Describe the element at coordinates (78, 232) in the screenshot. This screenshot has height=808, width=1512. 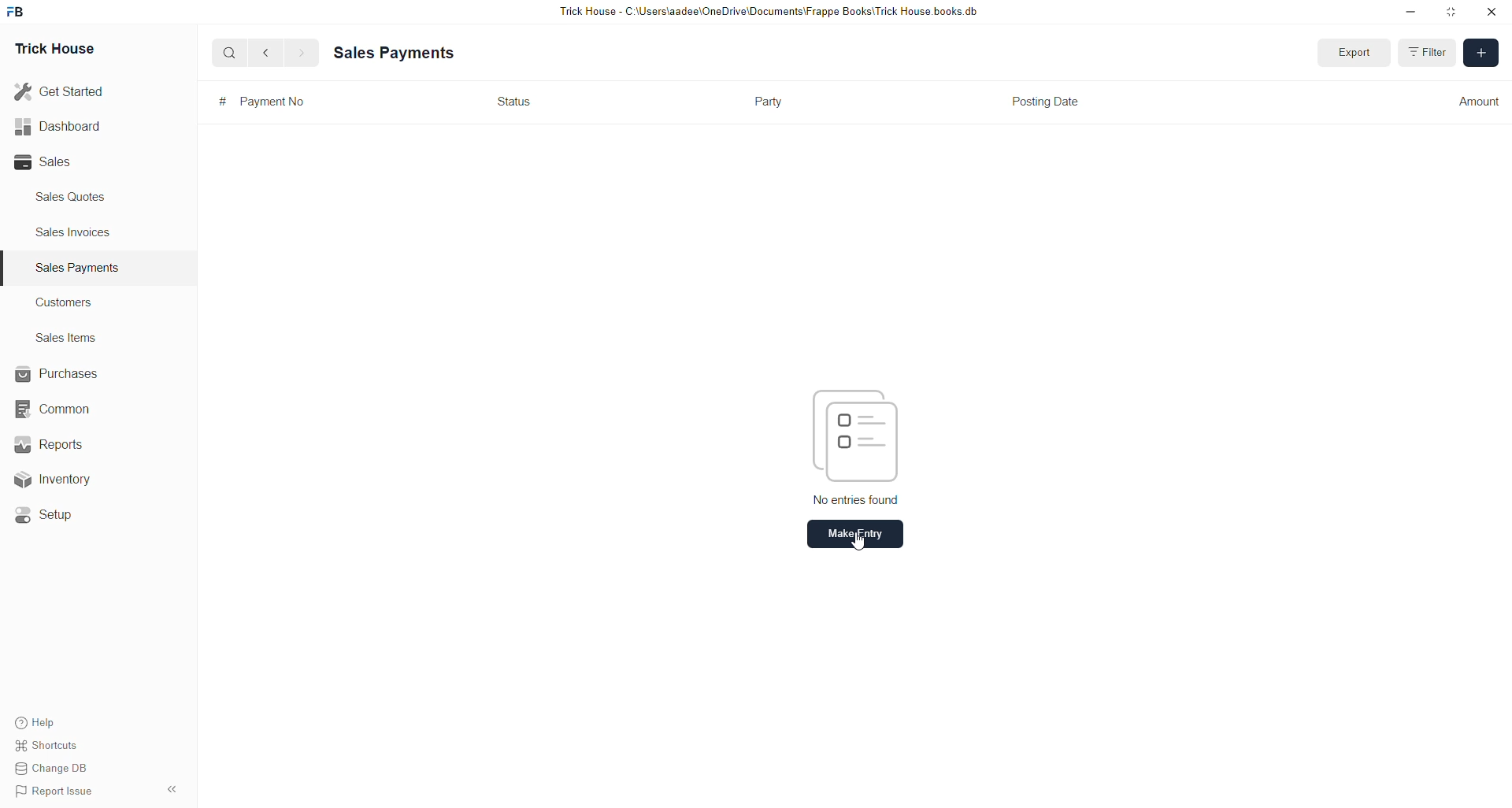
I see `Sales Invoices` at that location.